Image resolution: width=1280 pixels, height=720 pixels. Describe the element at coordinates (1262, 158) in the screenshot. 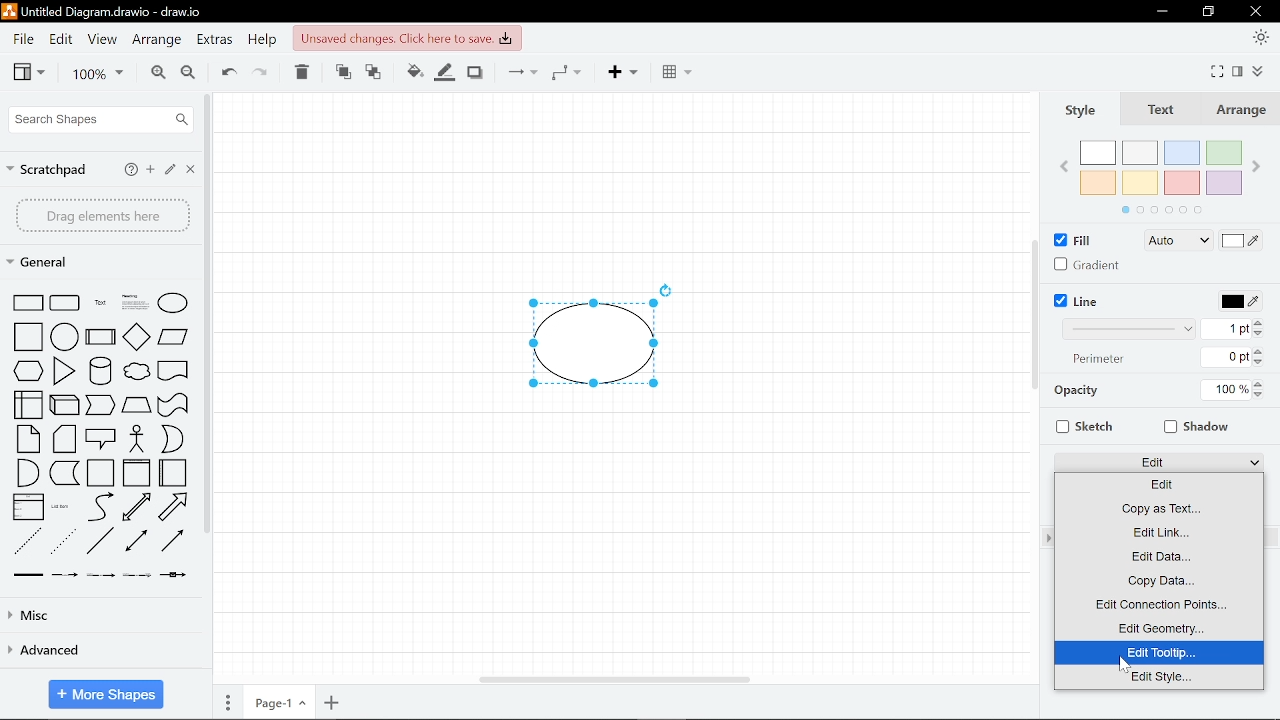

I see `Next color Palette` at that location.